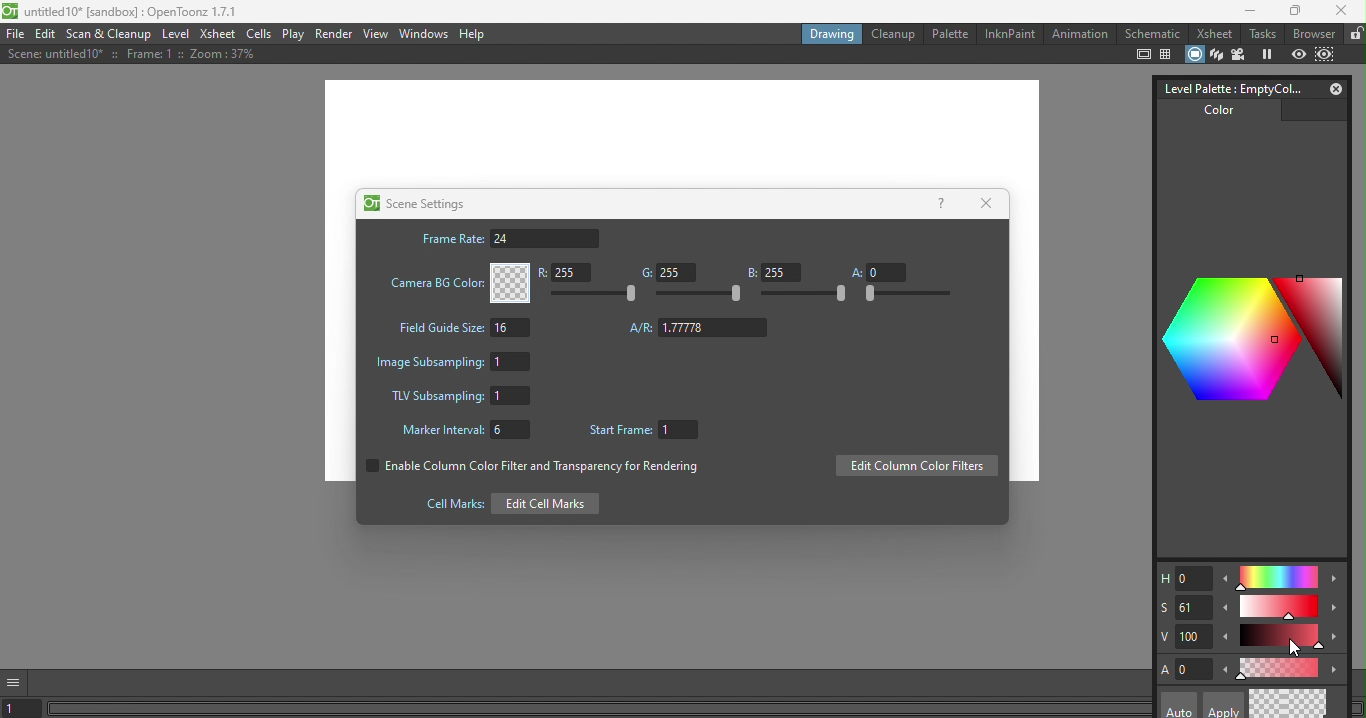 Image resolution: width=1366 pixels, height=718 pixels. I want to click on Xsheet, so click(1212, 34).